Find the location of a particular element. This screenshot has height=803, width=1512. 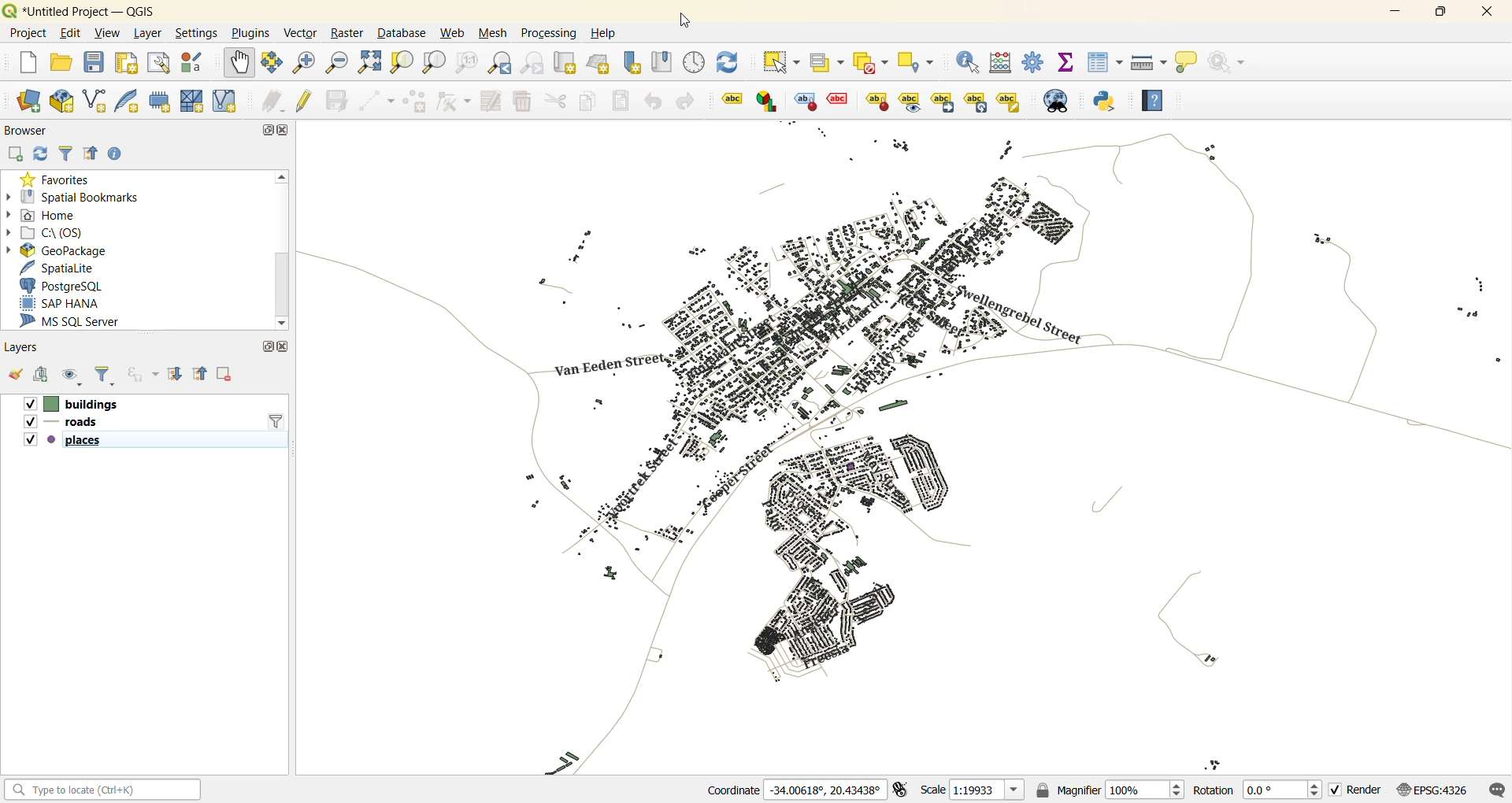

cursor is located at coordinates (685, 20).